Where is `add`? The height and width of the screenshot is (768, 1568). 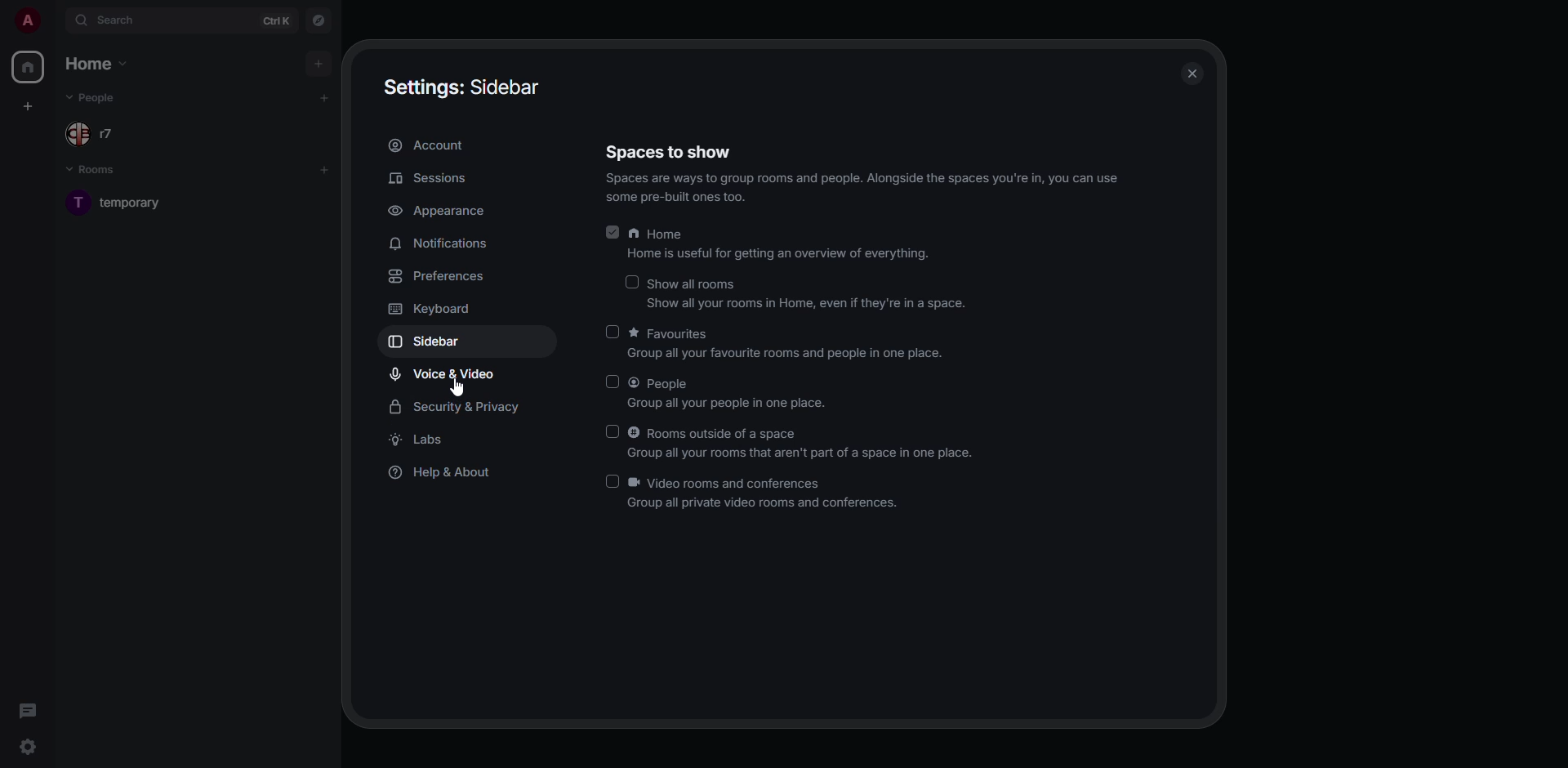 add is located at coordinates (329, 170).